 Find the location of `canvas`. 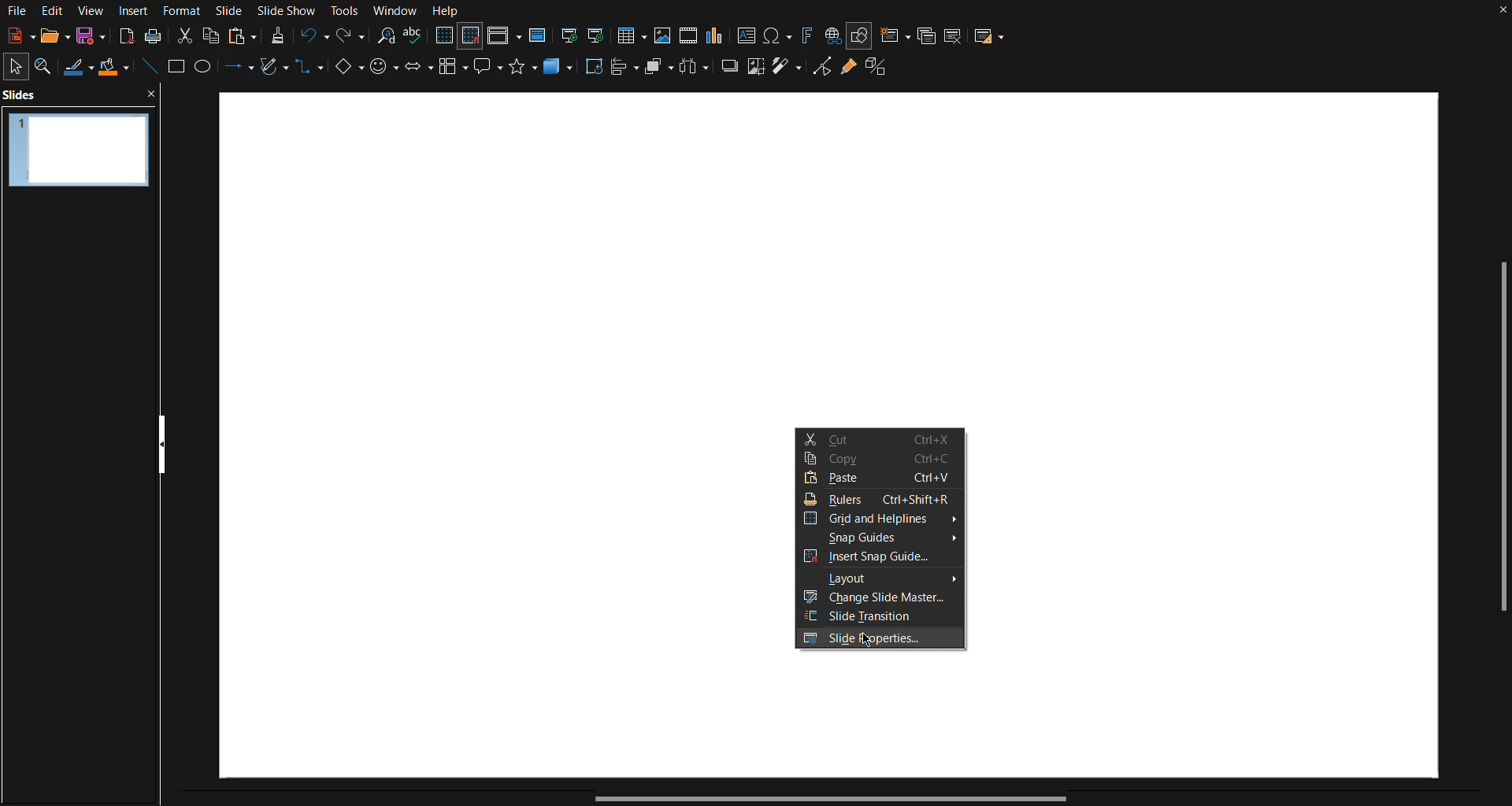

canvas is located at coordinates (829, 259).